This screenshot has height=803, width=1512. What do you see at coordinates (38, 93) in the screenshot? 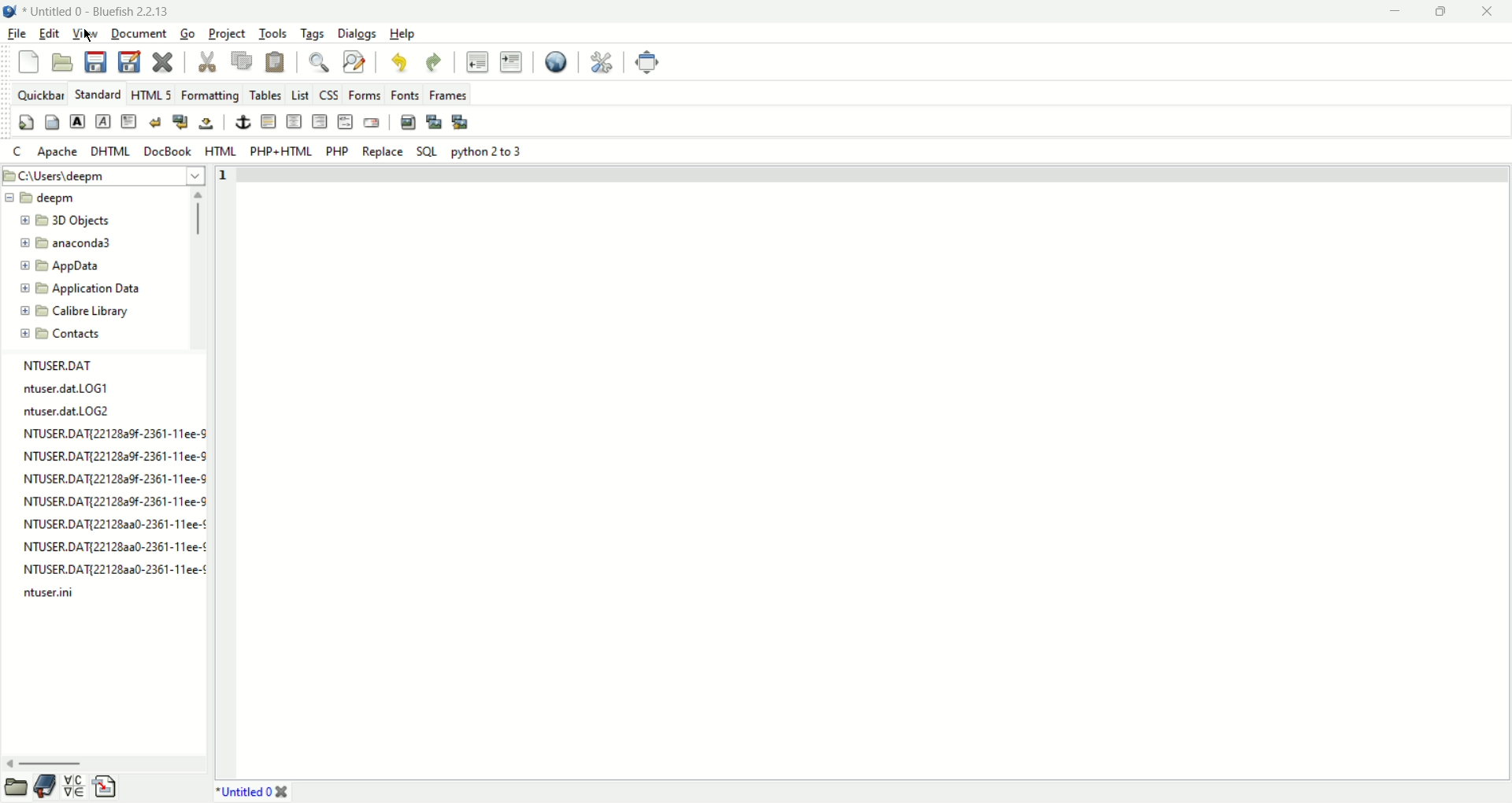
I see `quickbar` at bounding box center [38, 93].